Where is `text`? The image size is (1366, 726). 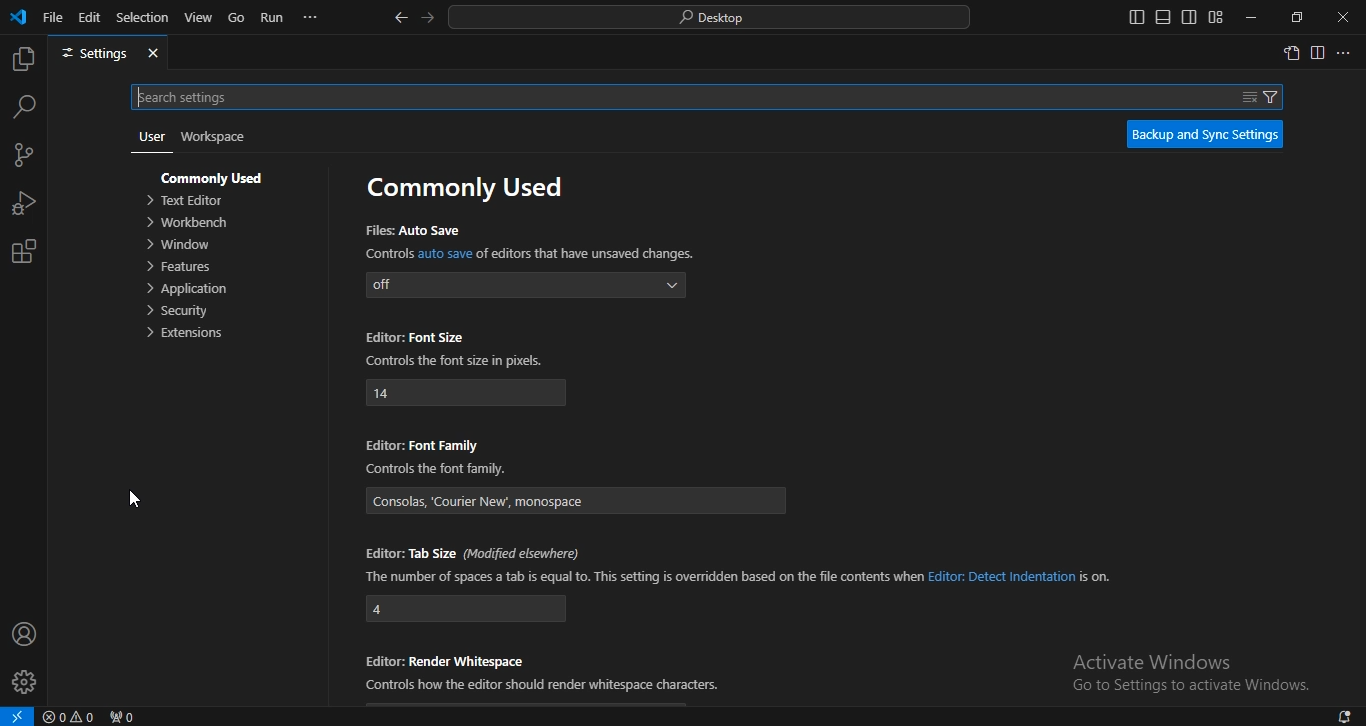 text is located at coordinates (470, 190).